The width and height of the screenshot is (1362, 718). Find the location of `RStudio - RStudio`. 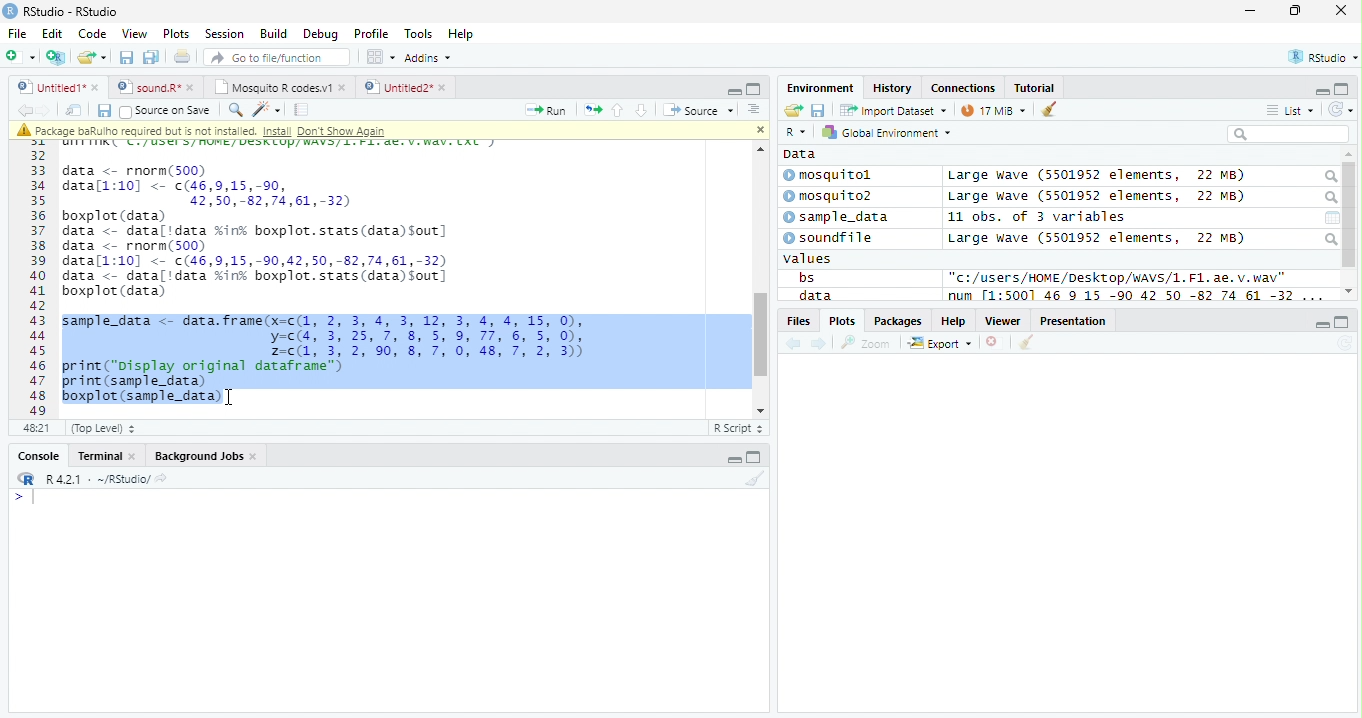

RStudio - RStudio is located at coordinates (71, 11).